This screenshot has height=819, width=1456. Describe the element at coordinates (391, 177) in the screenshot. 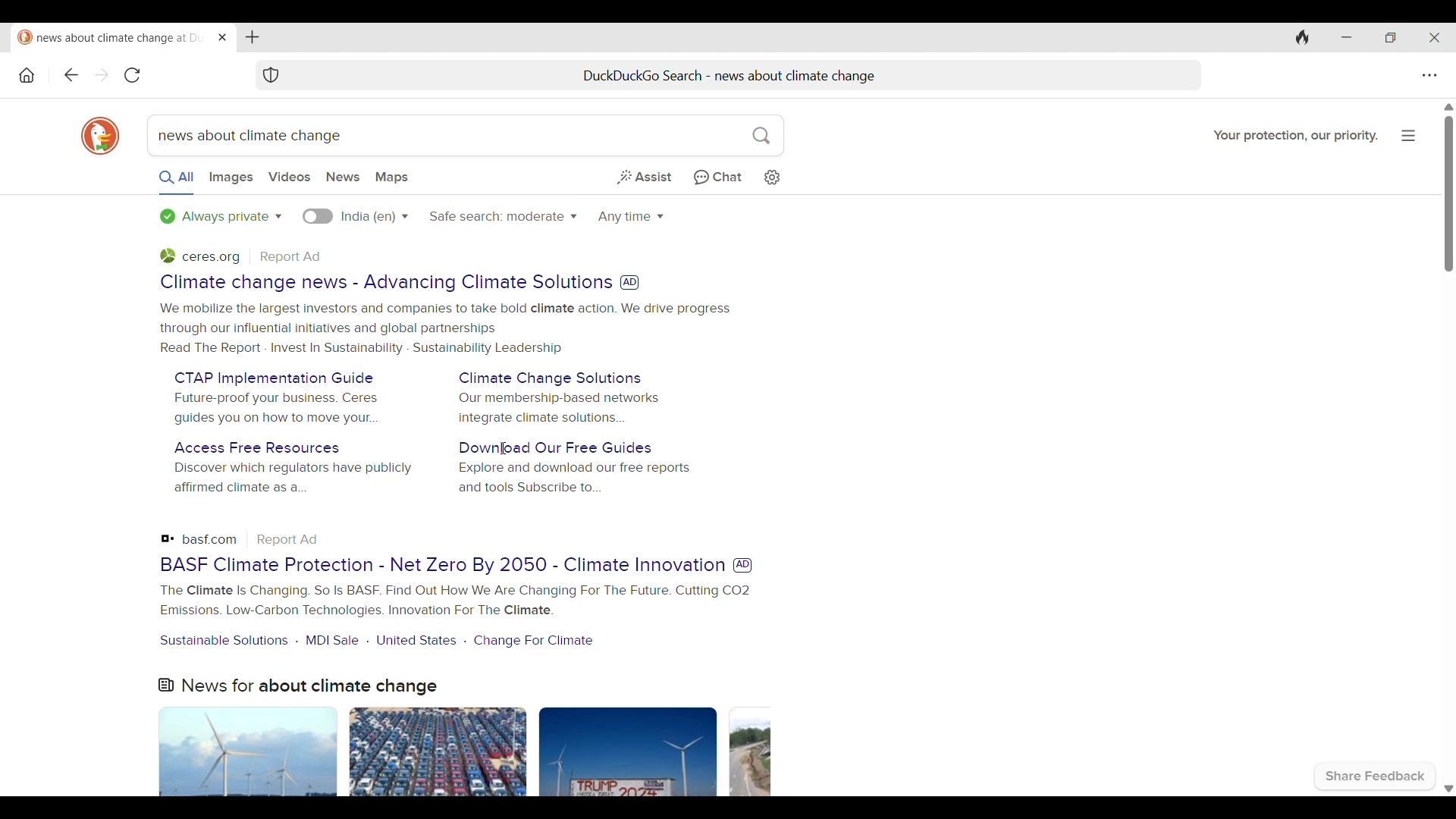

I see `Search maps` at that location.